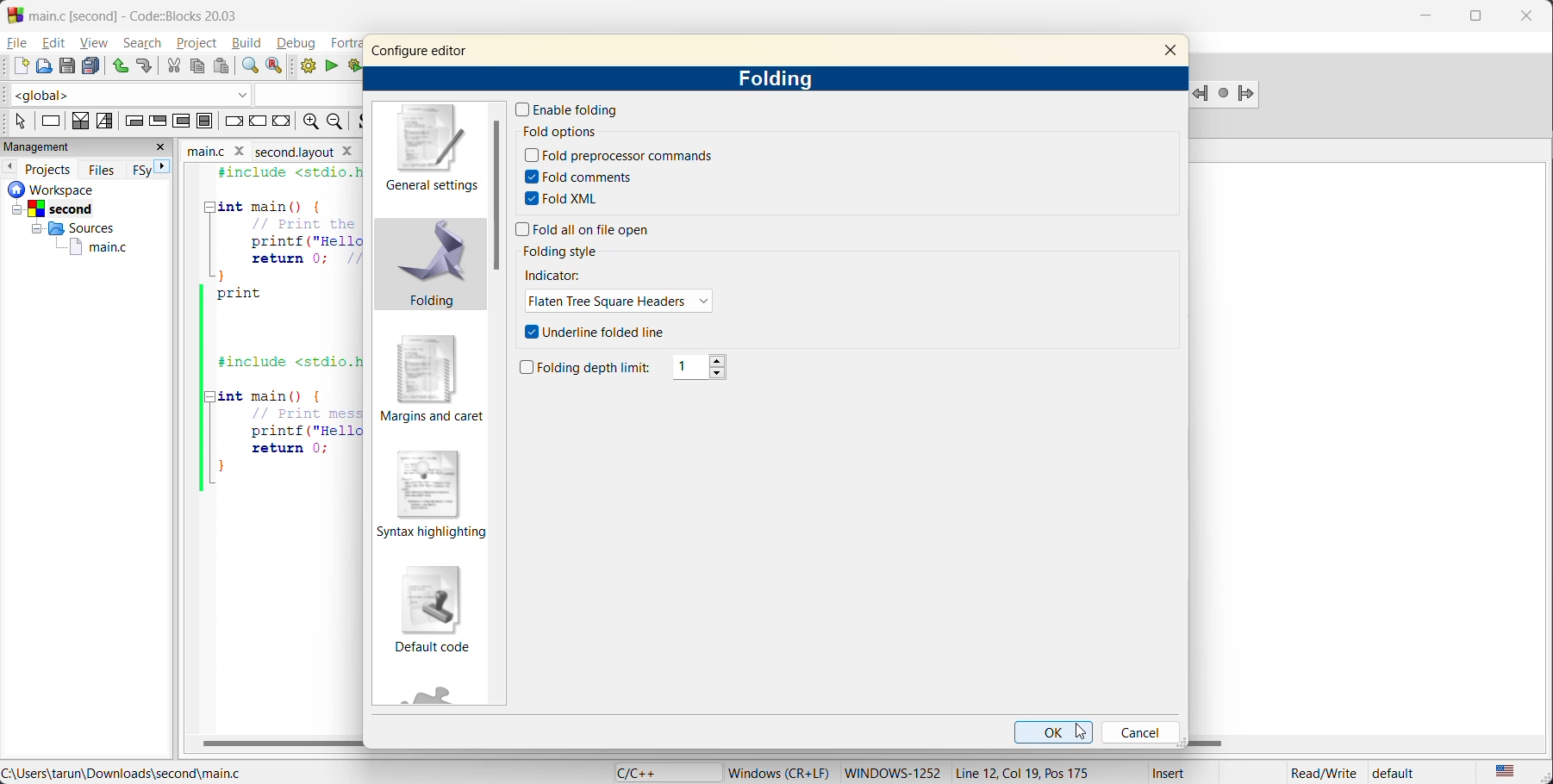 The width and height of the screenshot is (1553, 784). What do you see at coordinates (120, 65) in the screenshot?
I see `undo` at bounding box center [120, 65].